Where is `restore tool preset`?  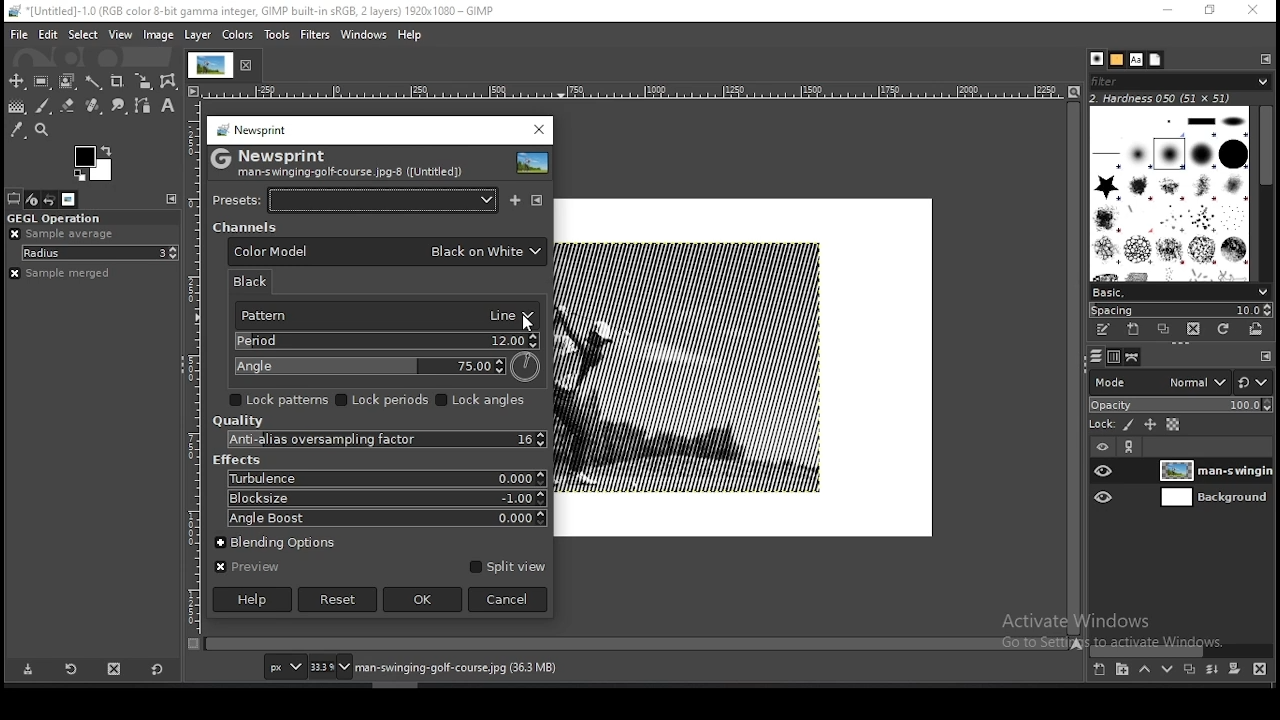 restore tool preset is located at coordinates (69, 669).